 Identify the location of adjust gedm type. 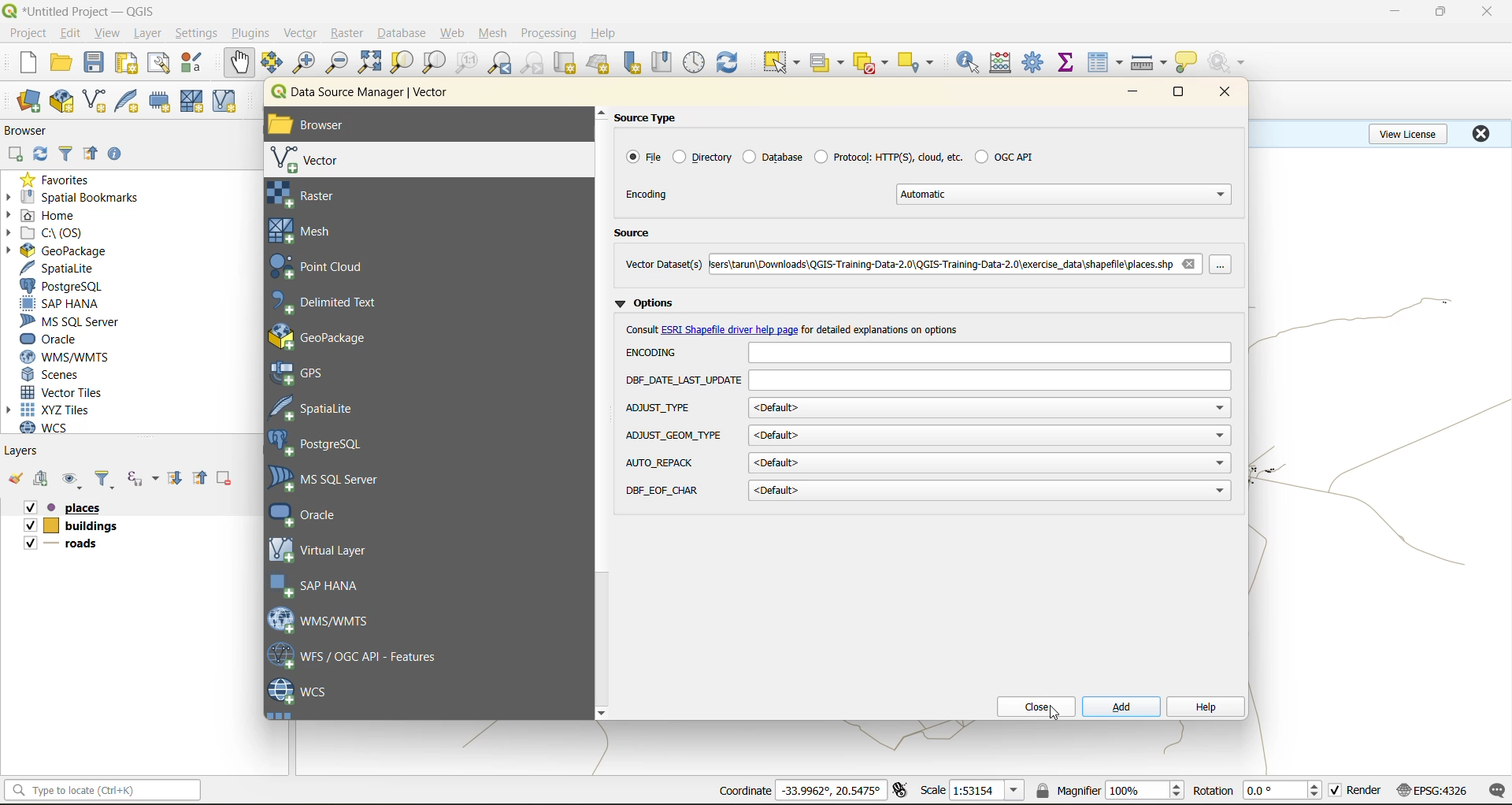
(990, 436).